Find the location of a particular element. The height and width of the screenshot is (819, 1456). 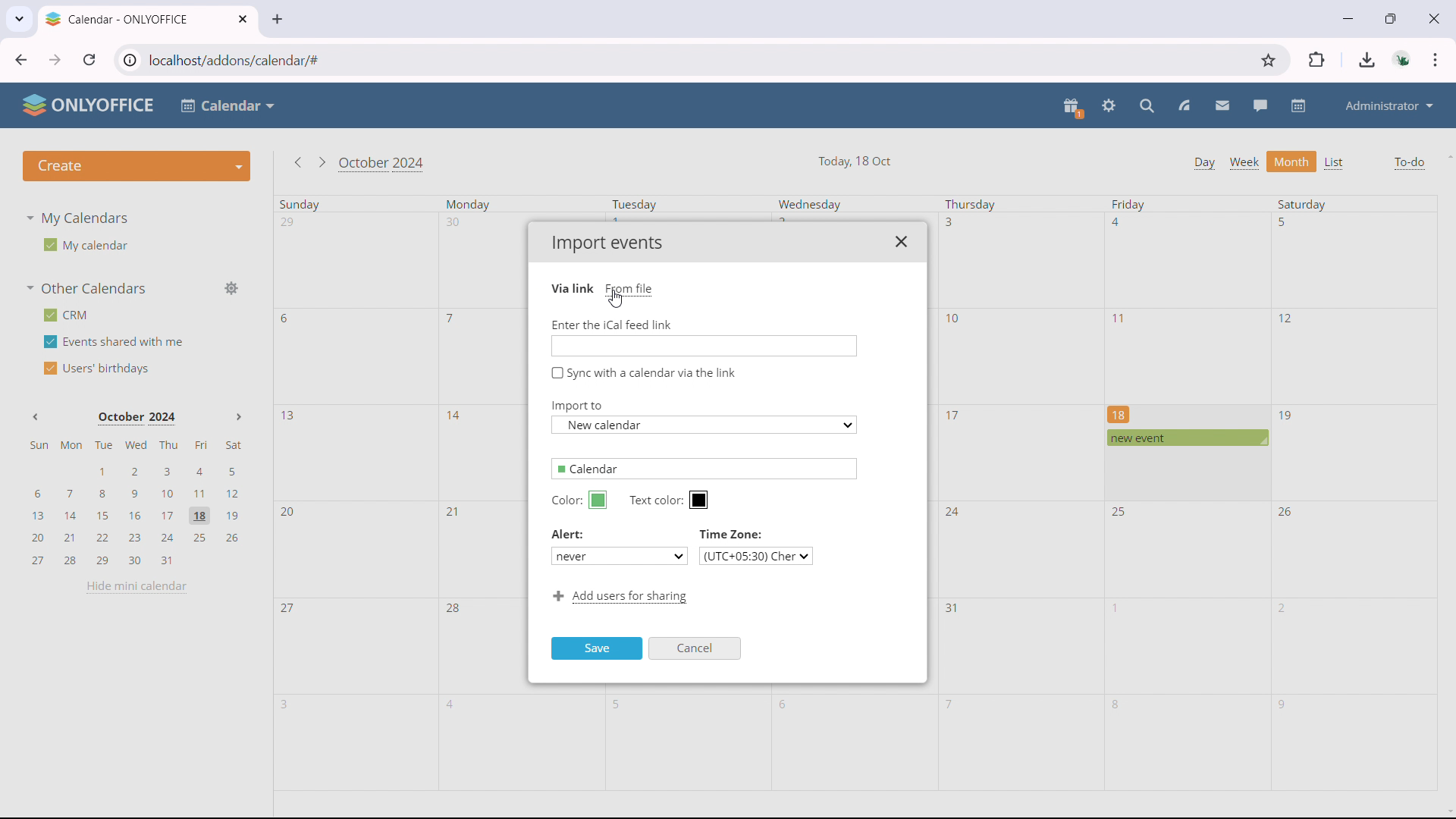

21 is located at coordinates (450, 510).